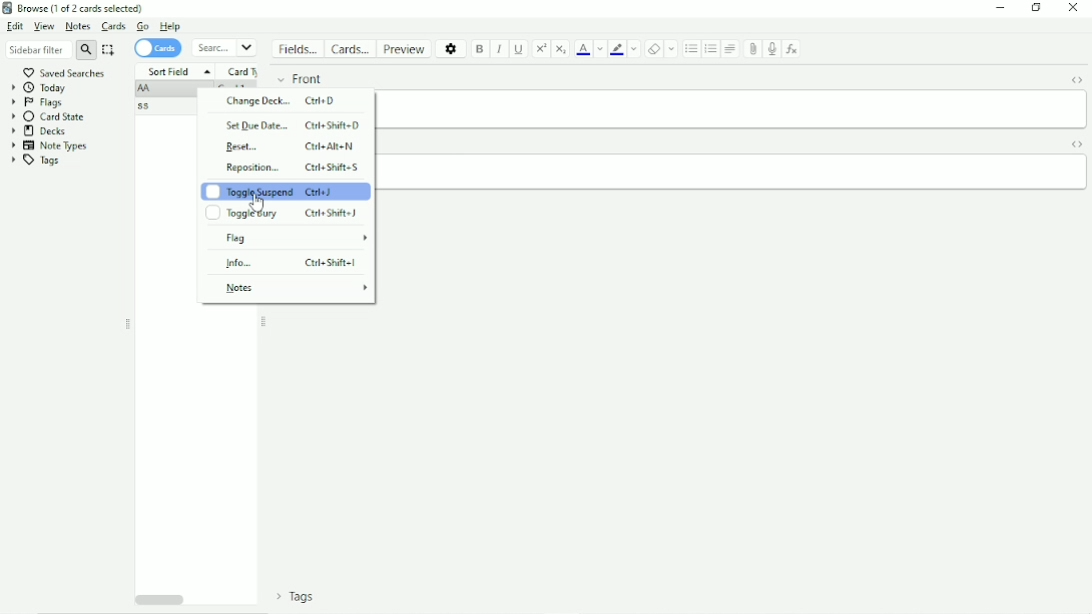 The height and width of the screenshot is (614, 1092). I want to click on Fields, so click(297, 47).